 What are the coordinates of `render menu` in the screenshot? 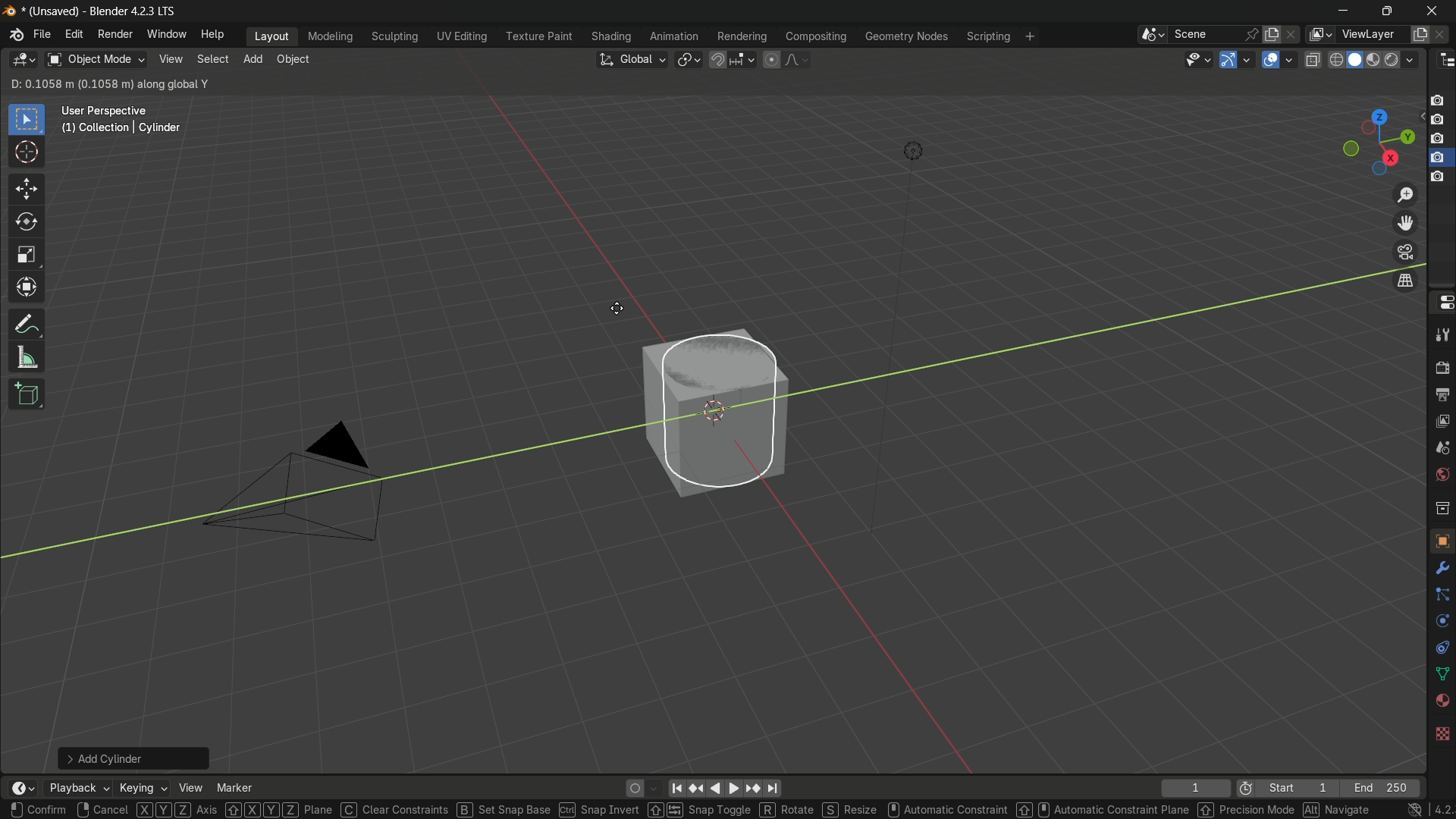 It's located at (114, 36).